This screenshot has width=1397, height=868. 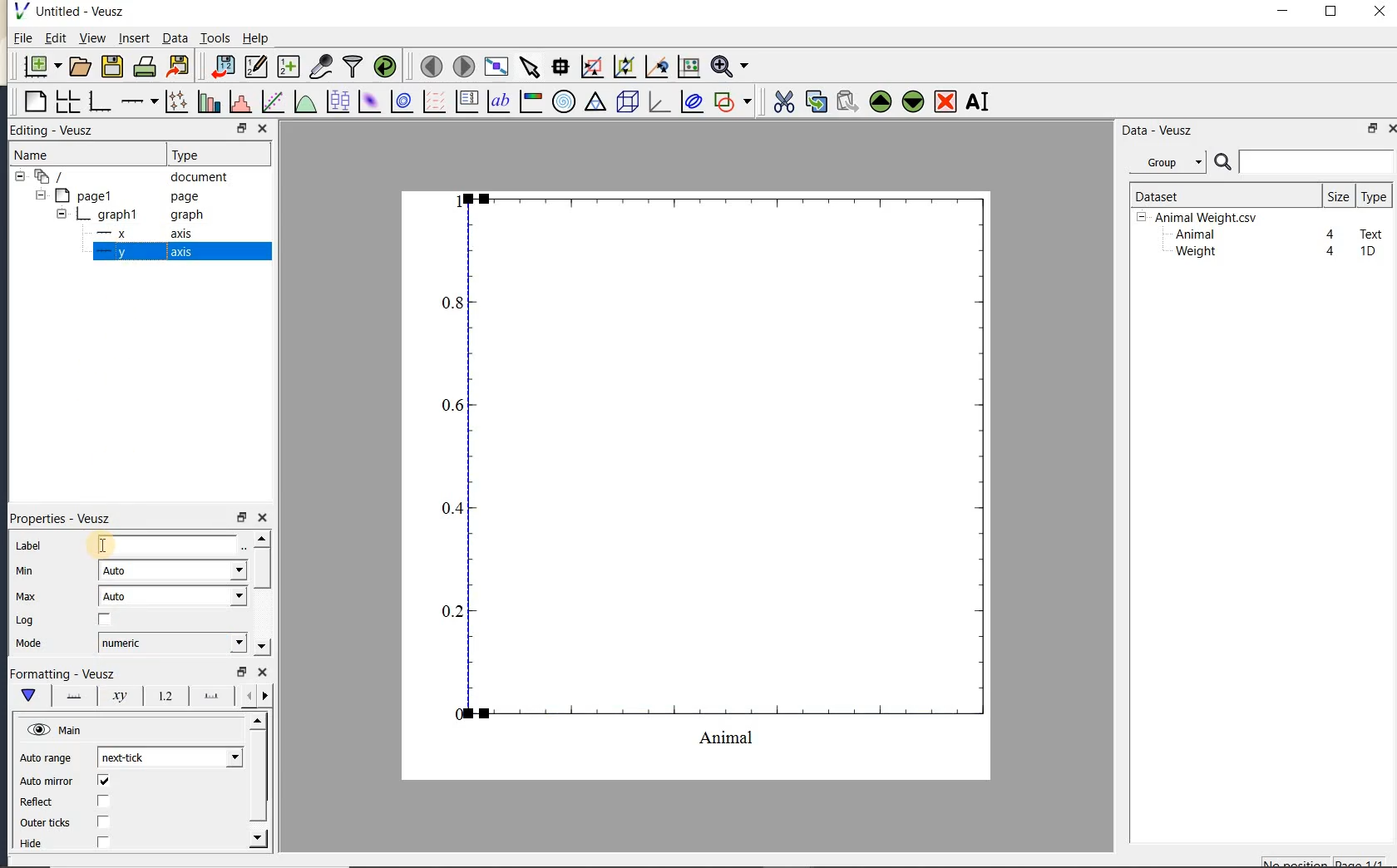 I want to click on plot a vector field, so click(x=432, y=102).